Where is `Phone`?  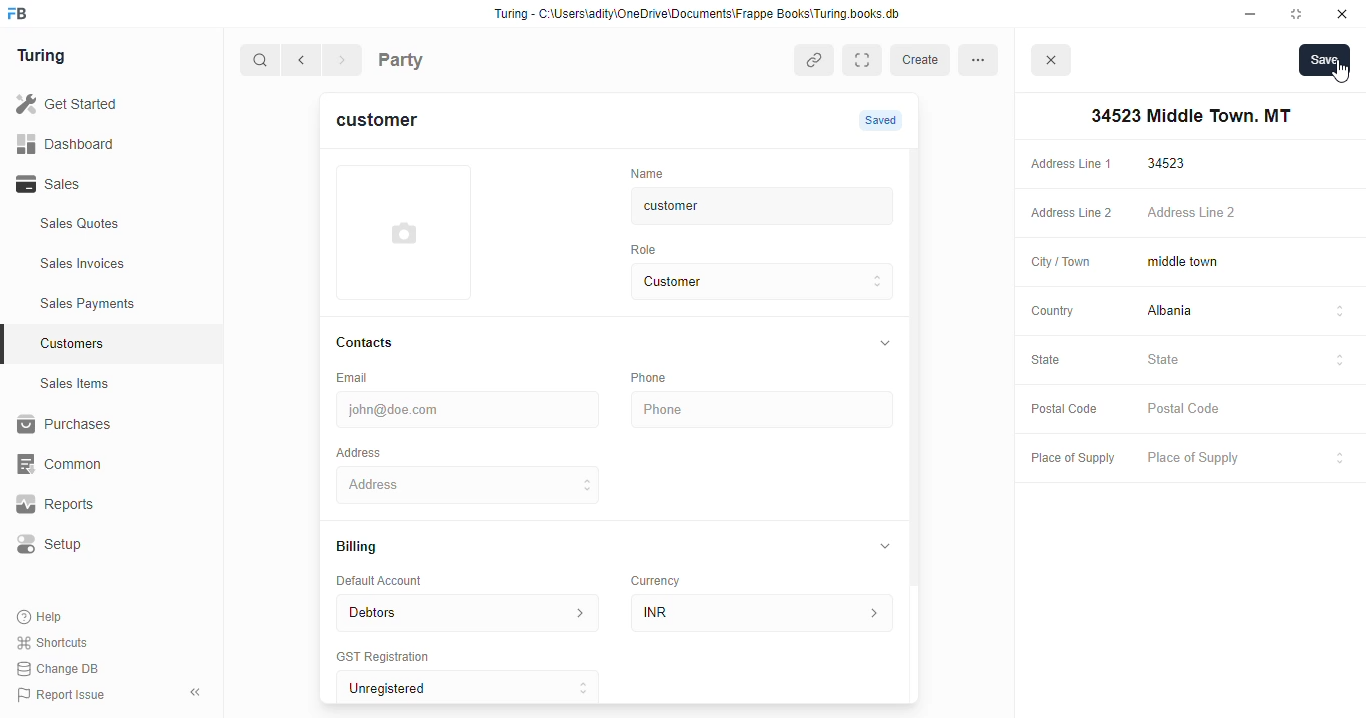 Phone is located at coordinates (660, 377).